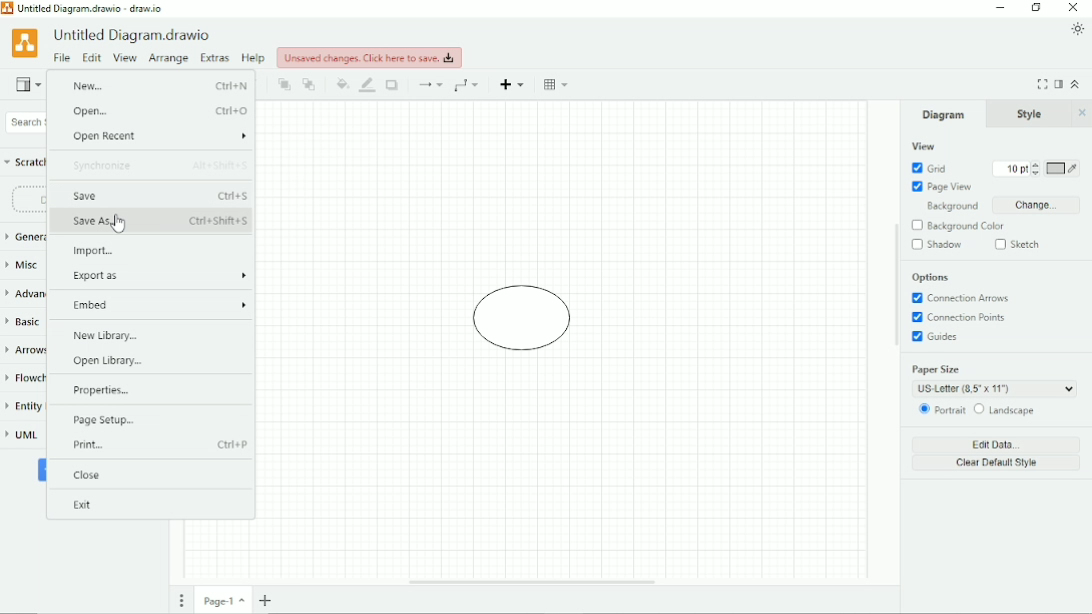  What do you see at coordinates (23, 266) in the screenshot?
I see `Misc` at bounding box center [23, 266].